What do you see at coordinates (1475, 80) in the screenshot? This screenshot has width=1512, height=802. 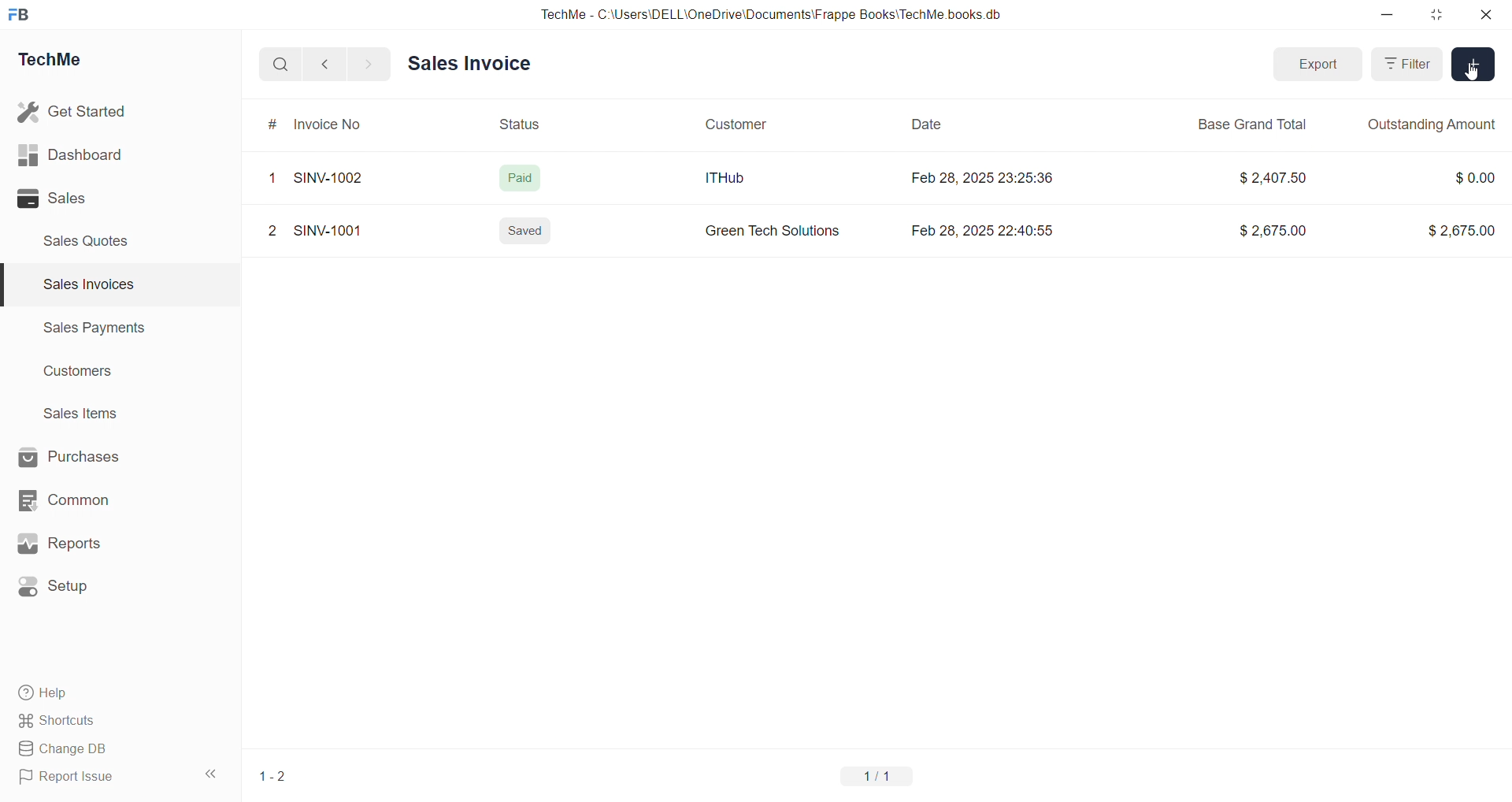 I see `cursor` at bounding box center [1475, 80].